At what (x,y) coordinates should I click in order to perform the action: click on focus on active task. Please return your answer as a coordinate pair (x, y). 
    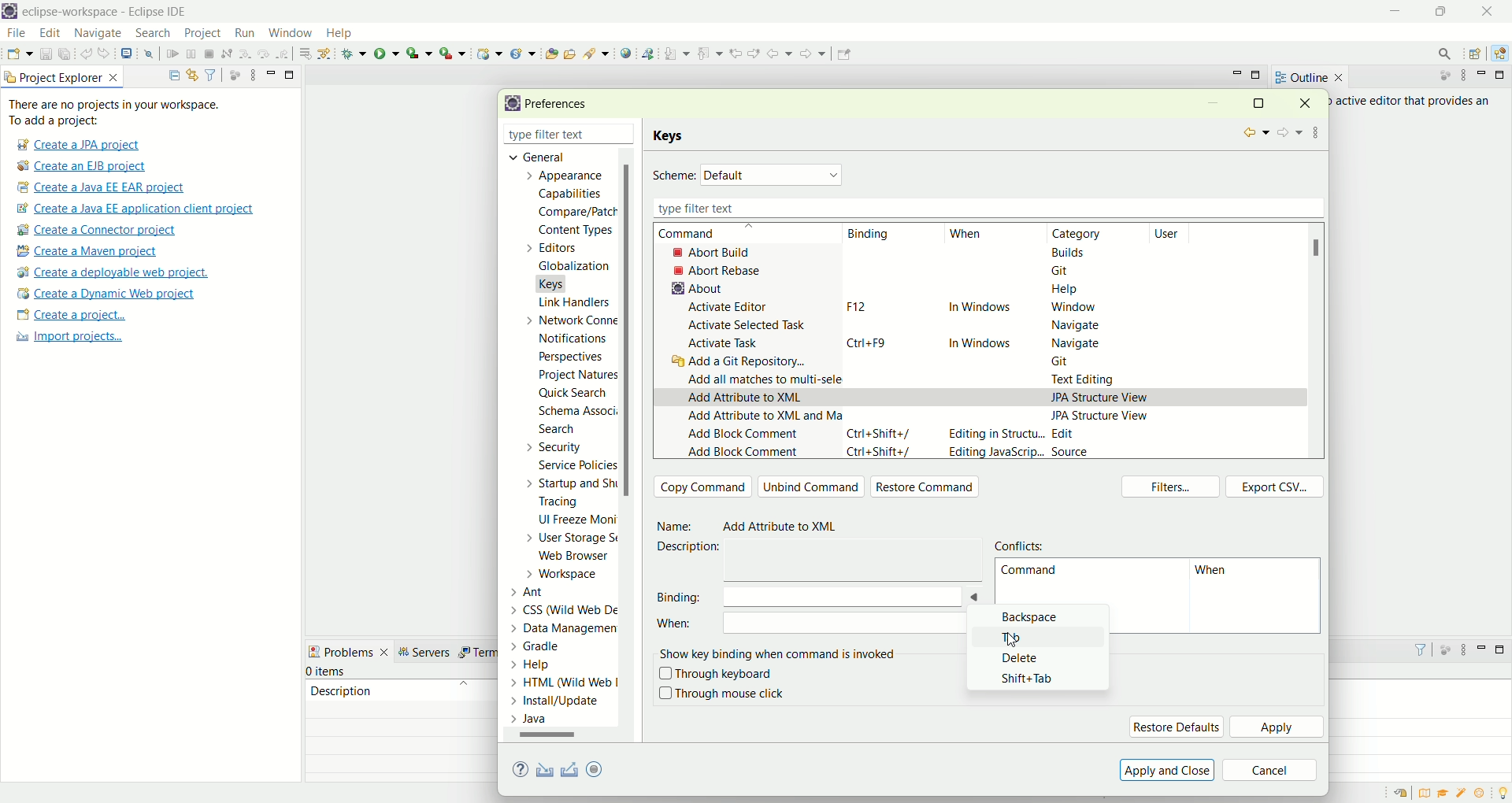
    Looking at the image, I should click on (233, 74).